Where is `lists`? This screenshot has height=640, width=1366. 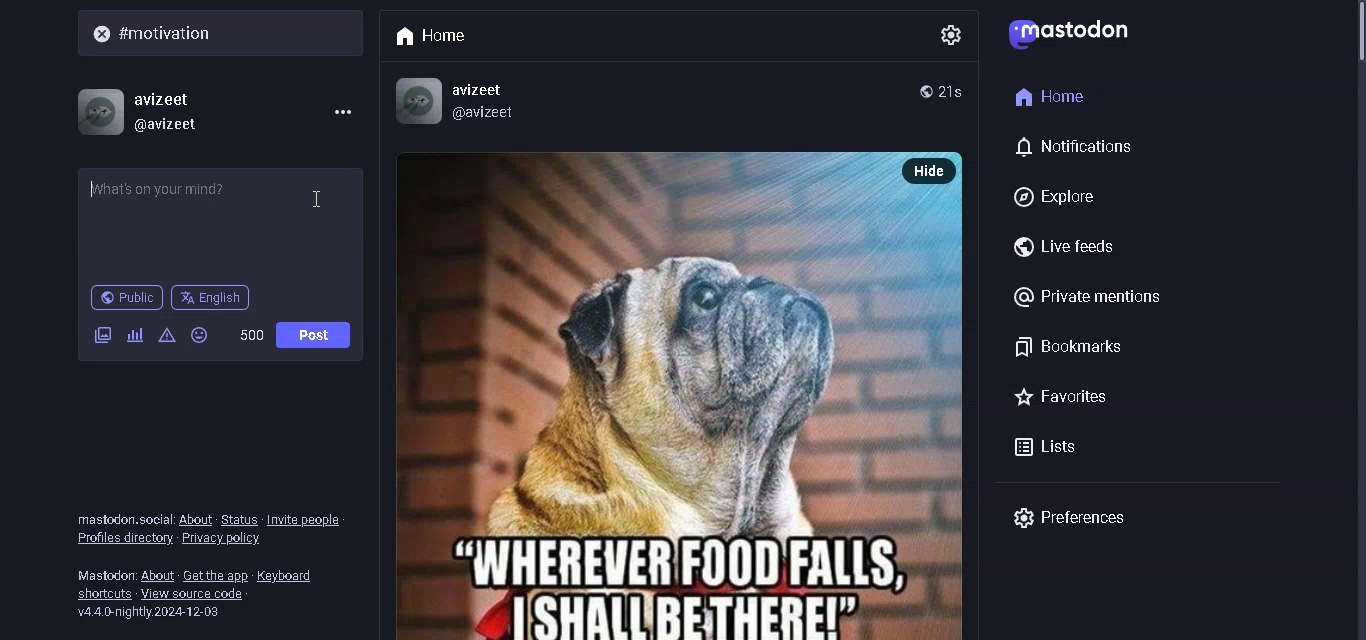
lists is located at coordinates (1047, 444).